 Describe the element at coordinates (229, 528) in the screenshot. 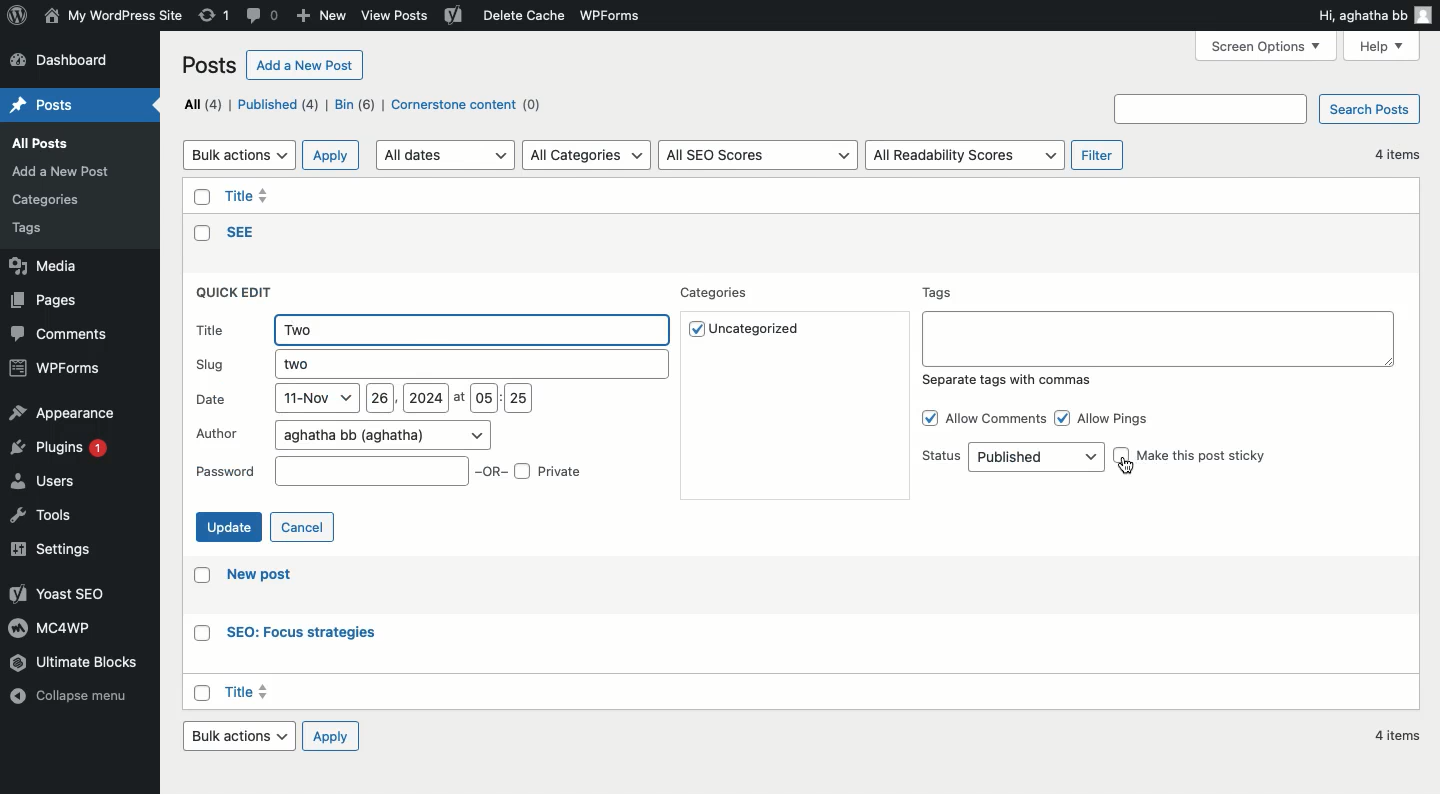

I see `Update` at that location.